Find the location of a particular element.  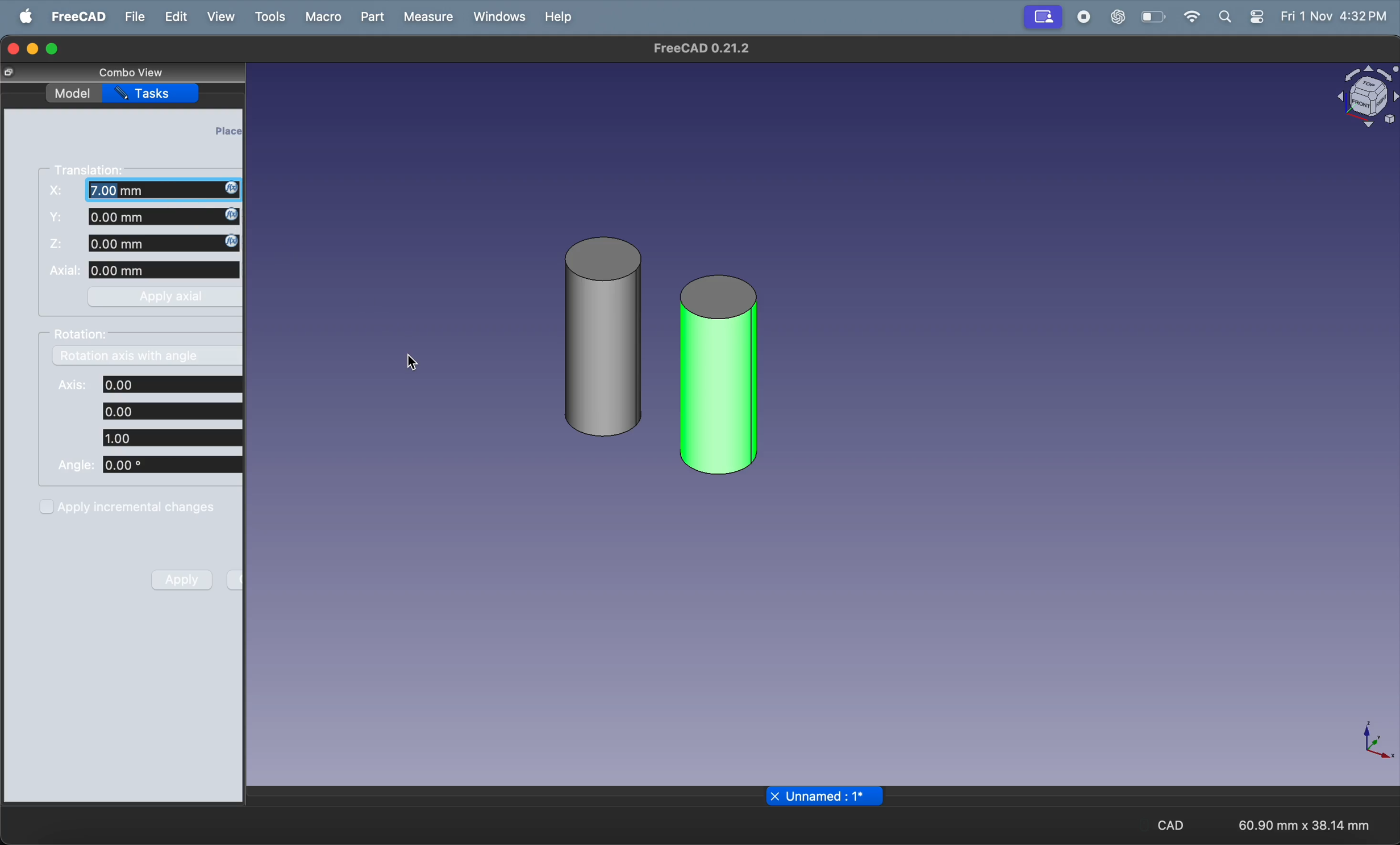

z distance is located at coordinates (165, 243).